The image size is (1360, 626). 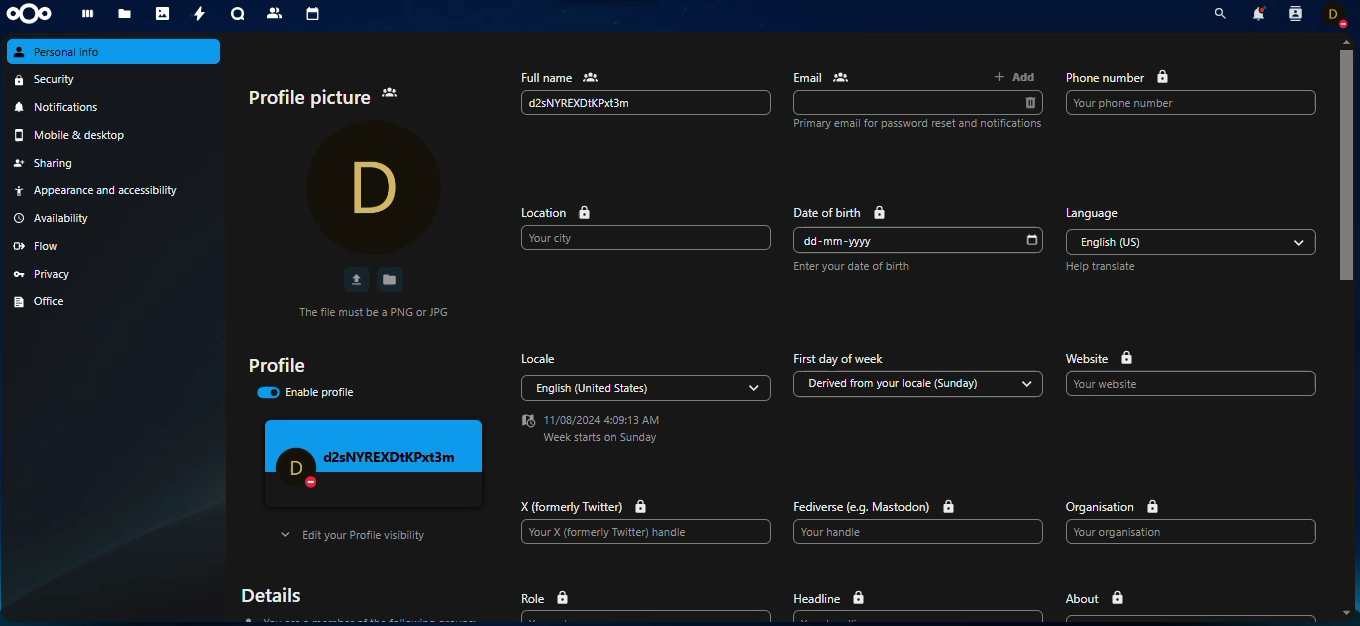 What do you see at coordinates (353, 535) in the screenshot?
I see `Edit your Profile visibility` at bounding box center [353, 535].